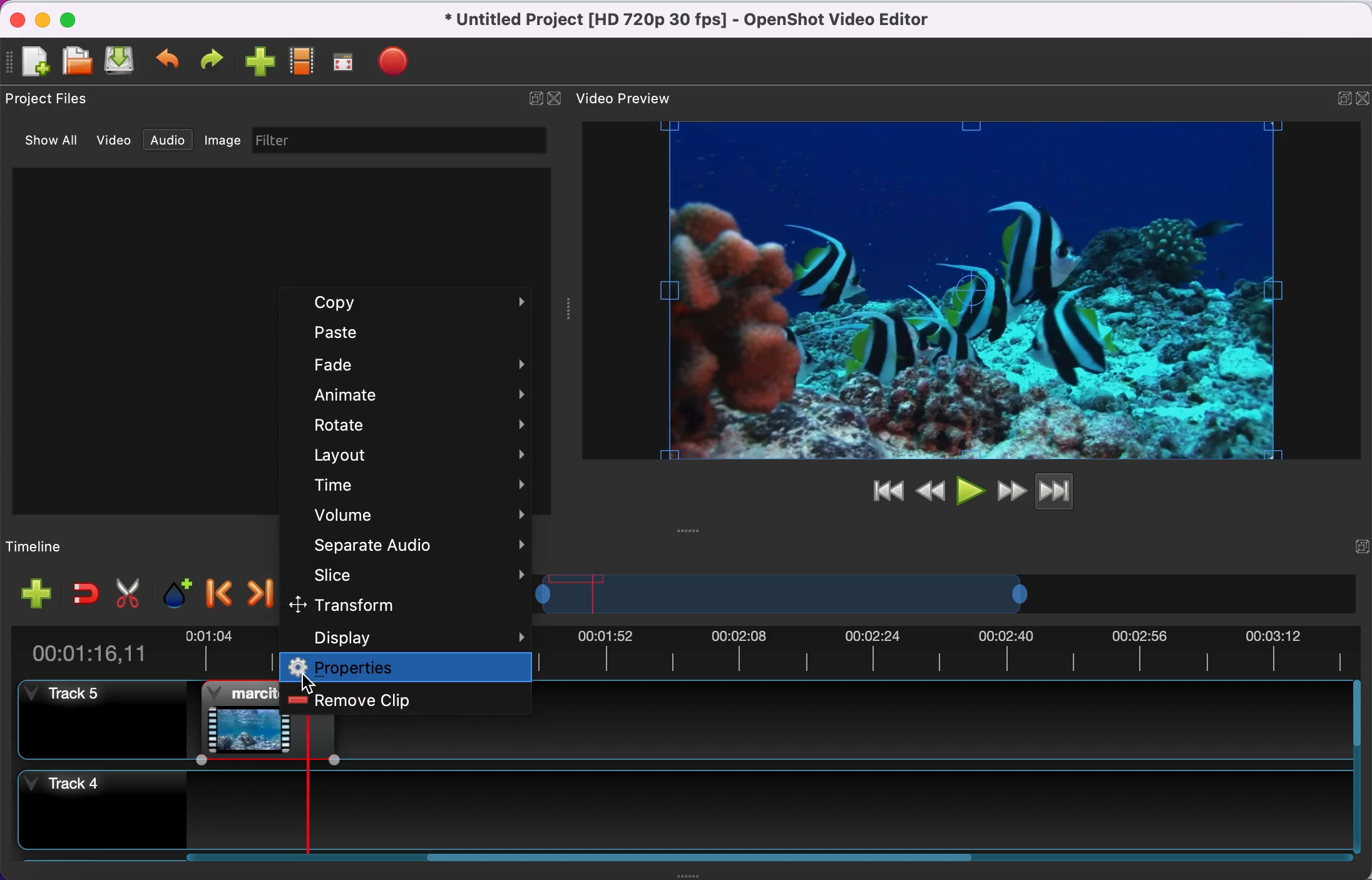 The height and width of the screenshot is (880, 1372). Describe the element at coordinates (223, 140) in the screenshot. I see `image` at that location.